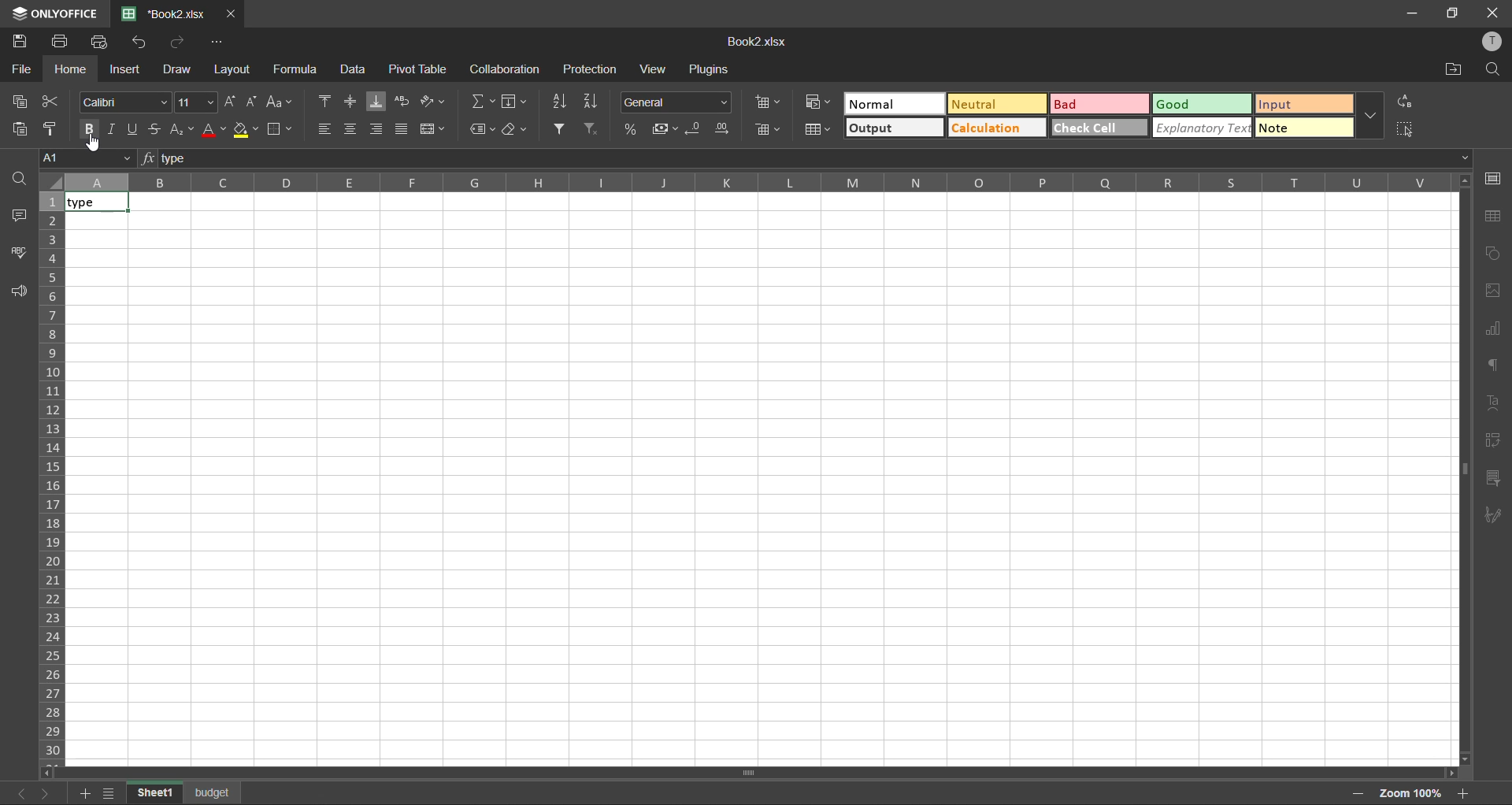  Describe the element at coordinates (198, 102) in the screenshot. I see `font size` at that location.